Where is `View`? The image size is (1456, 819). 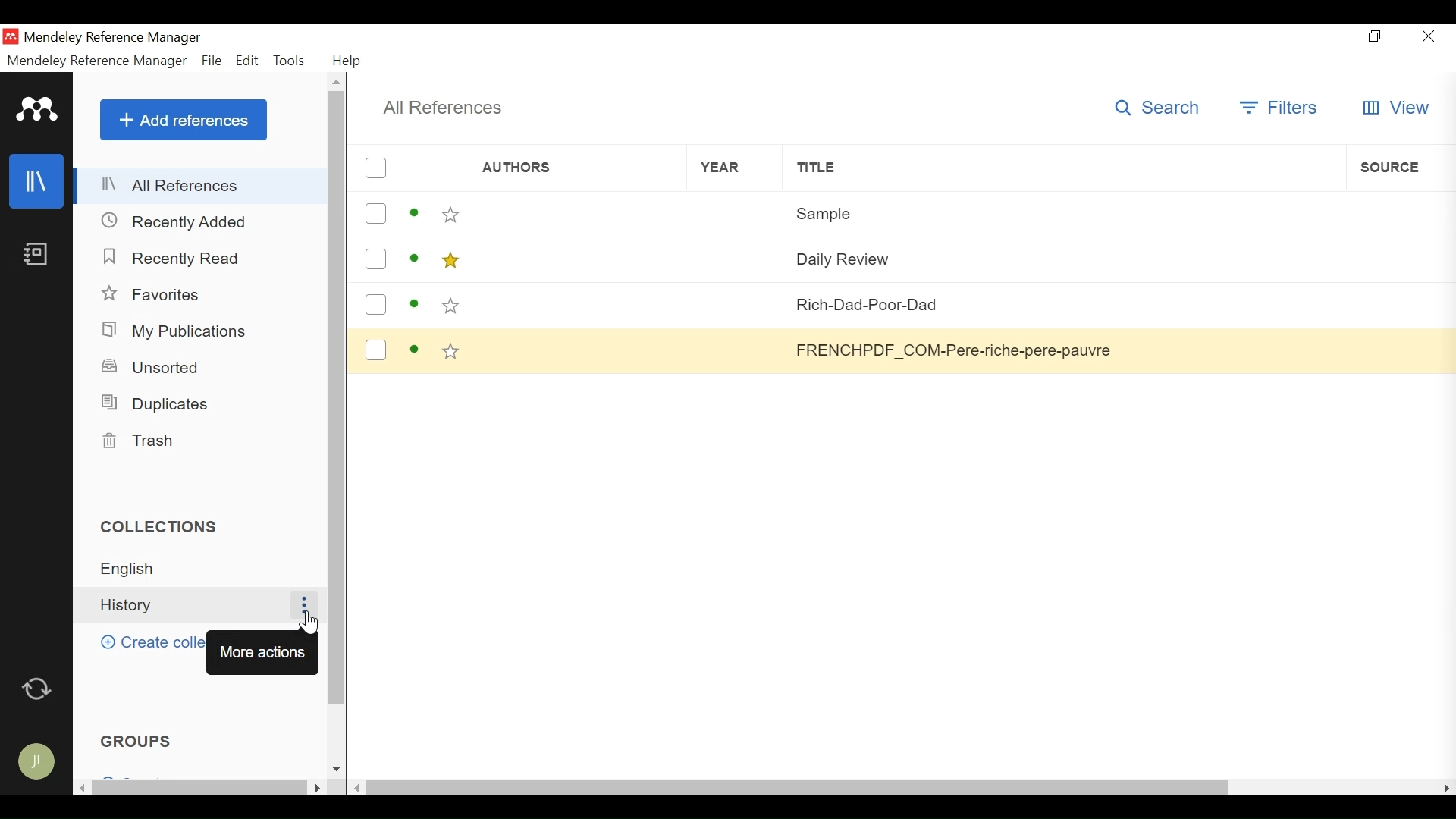
View is located at coordinates (1395, 108).